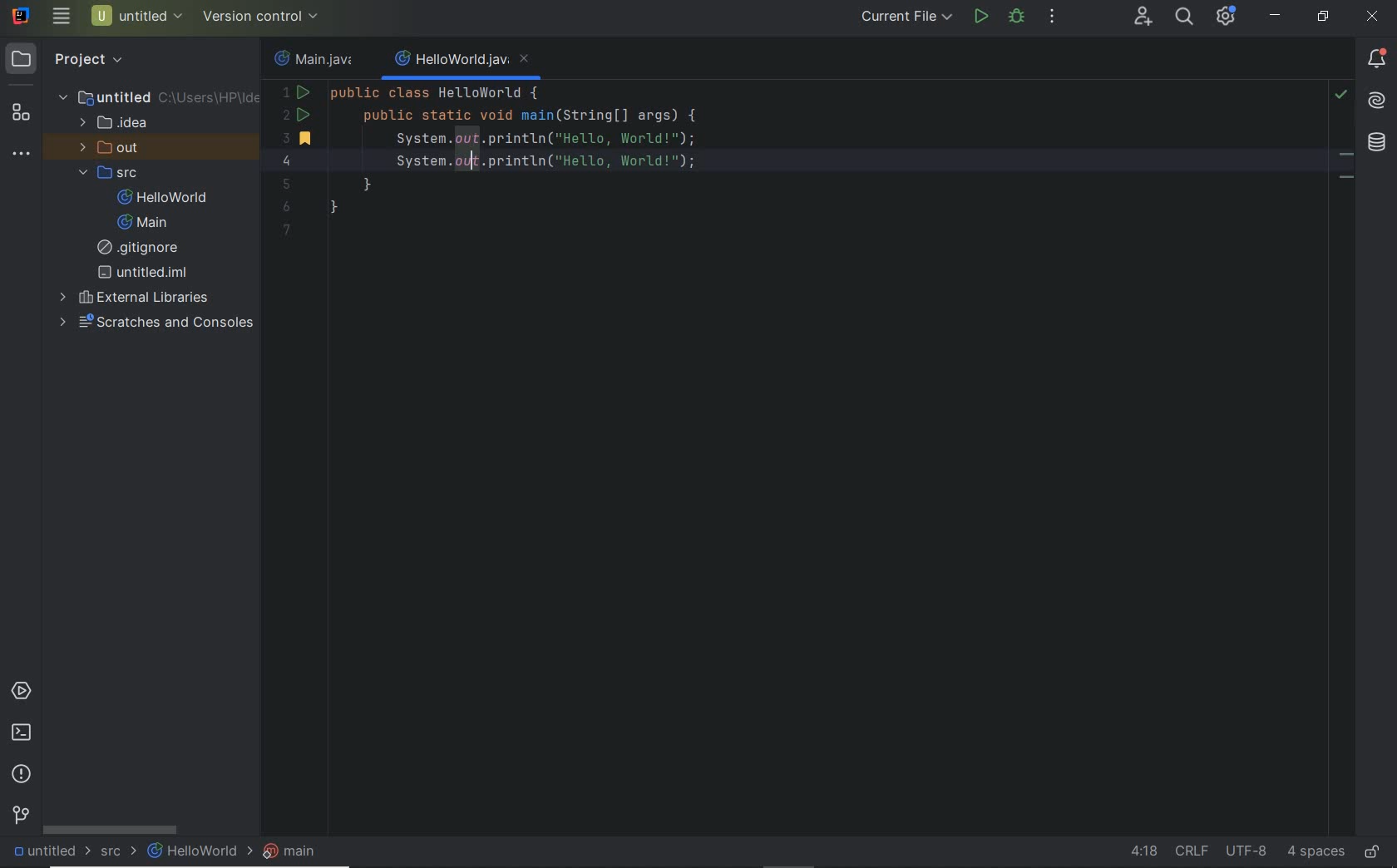  Describe the element at coordinates (1227, 18) in the screenshot. I see `IDE and Project settings` at that location.